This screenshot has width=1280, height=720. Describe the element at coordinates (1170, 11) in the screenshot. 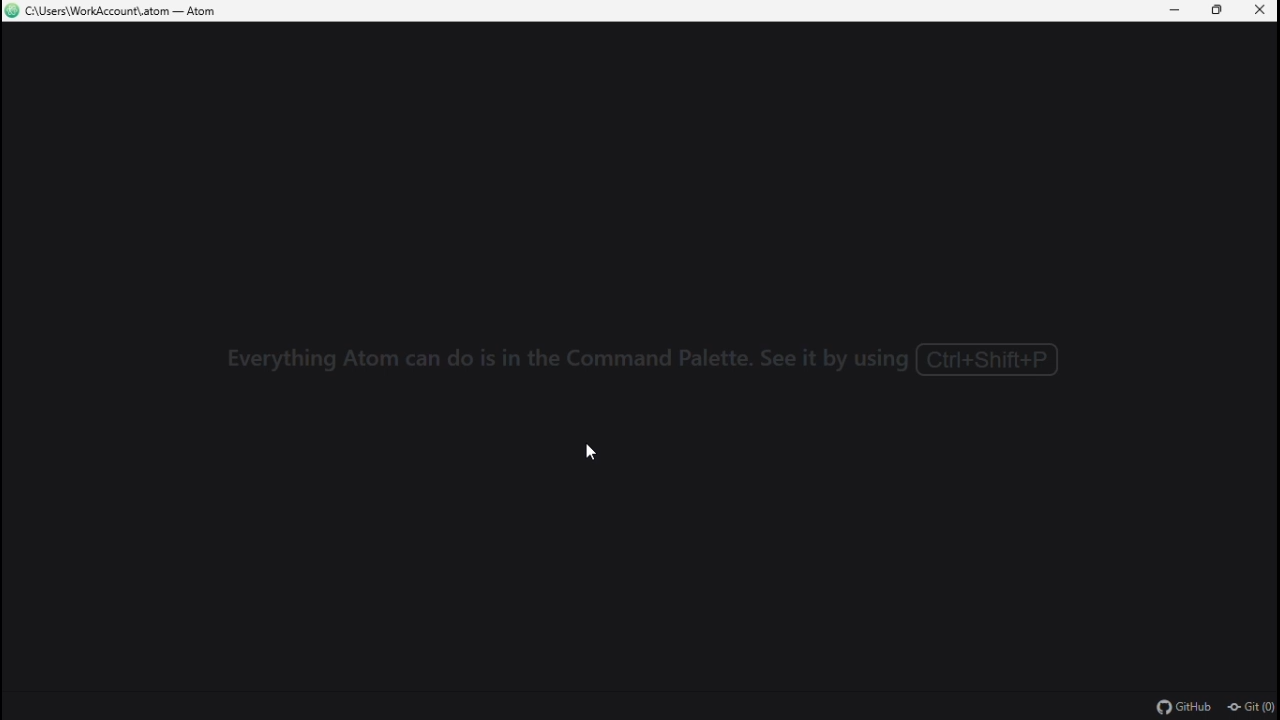

I see `Minimise` at that location.